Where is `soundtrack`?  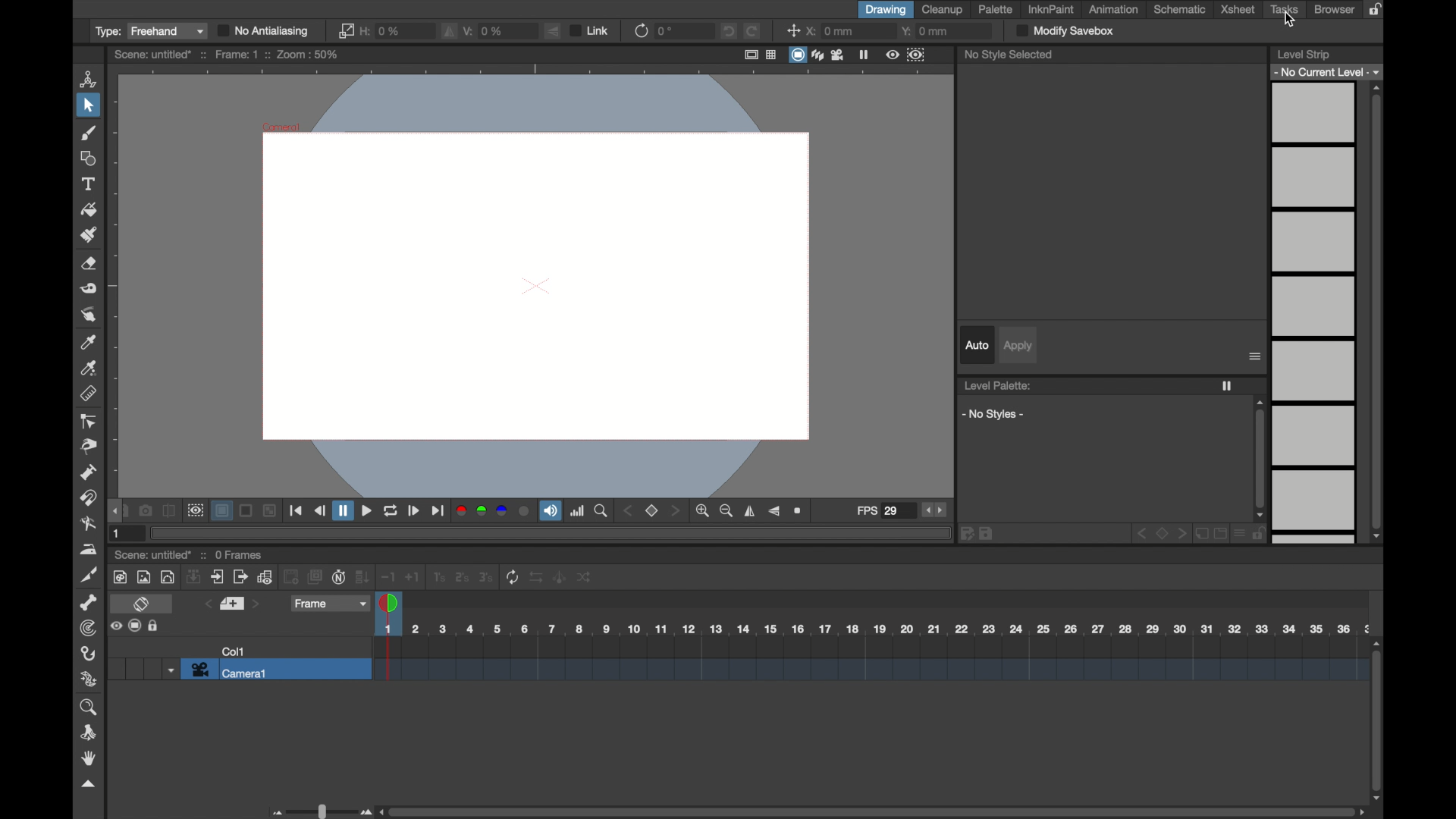
soundtrack is located at coordinates (550, 511).